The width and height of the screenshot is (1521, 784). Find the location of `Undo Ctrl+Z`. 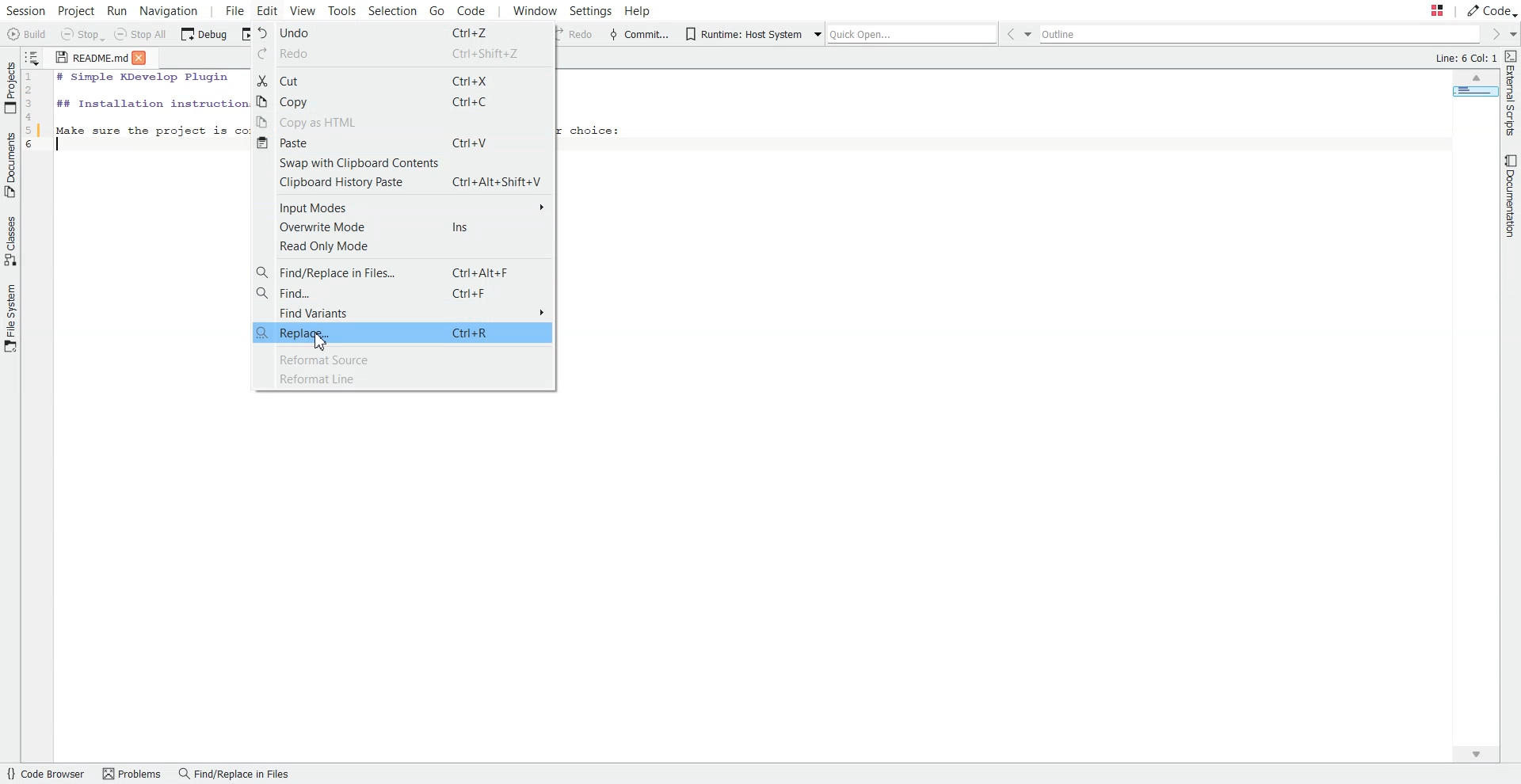

Undo Ctrl+Z is located at coordinates (402, 32).